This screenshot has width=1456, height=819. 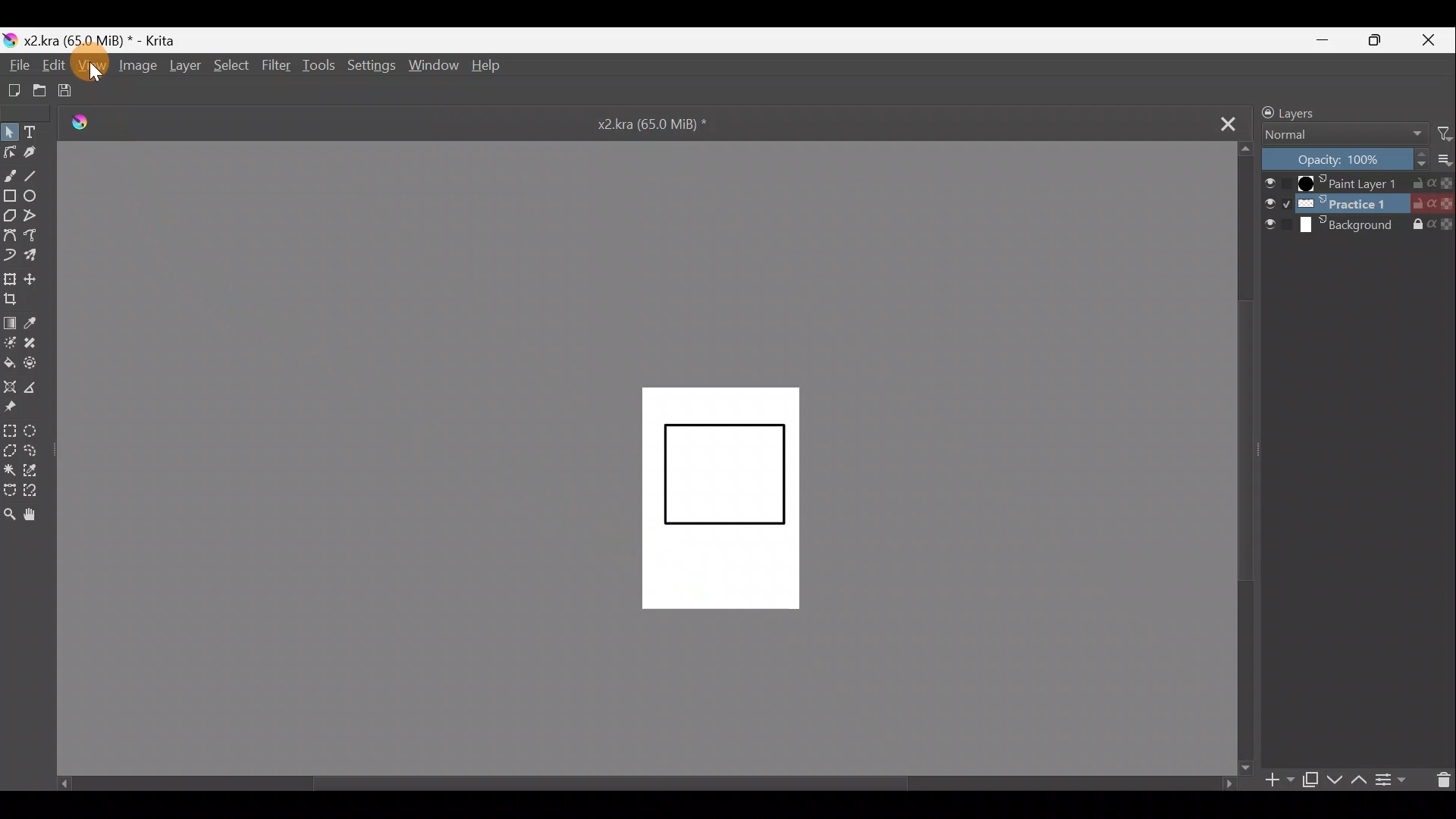 What do you see at coordinates (33, 434) in the screenshot?
I see `Elliptical selection tool` at bounding box center [33, 434].